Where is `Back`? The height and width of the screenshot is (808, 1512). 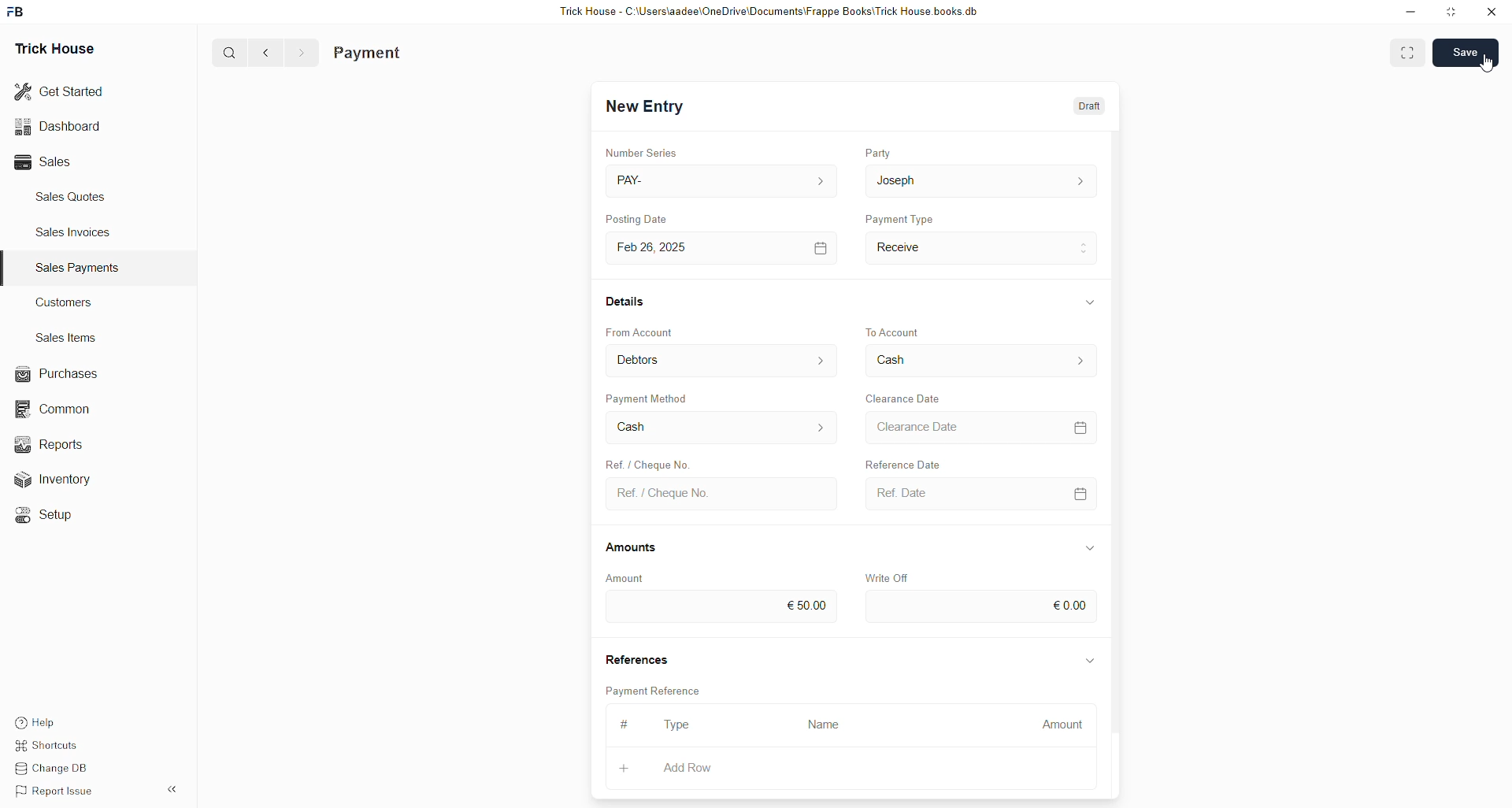 Back is located at coordinates (266, 54).